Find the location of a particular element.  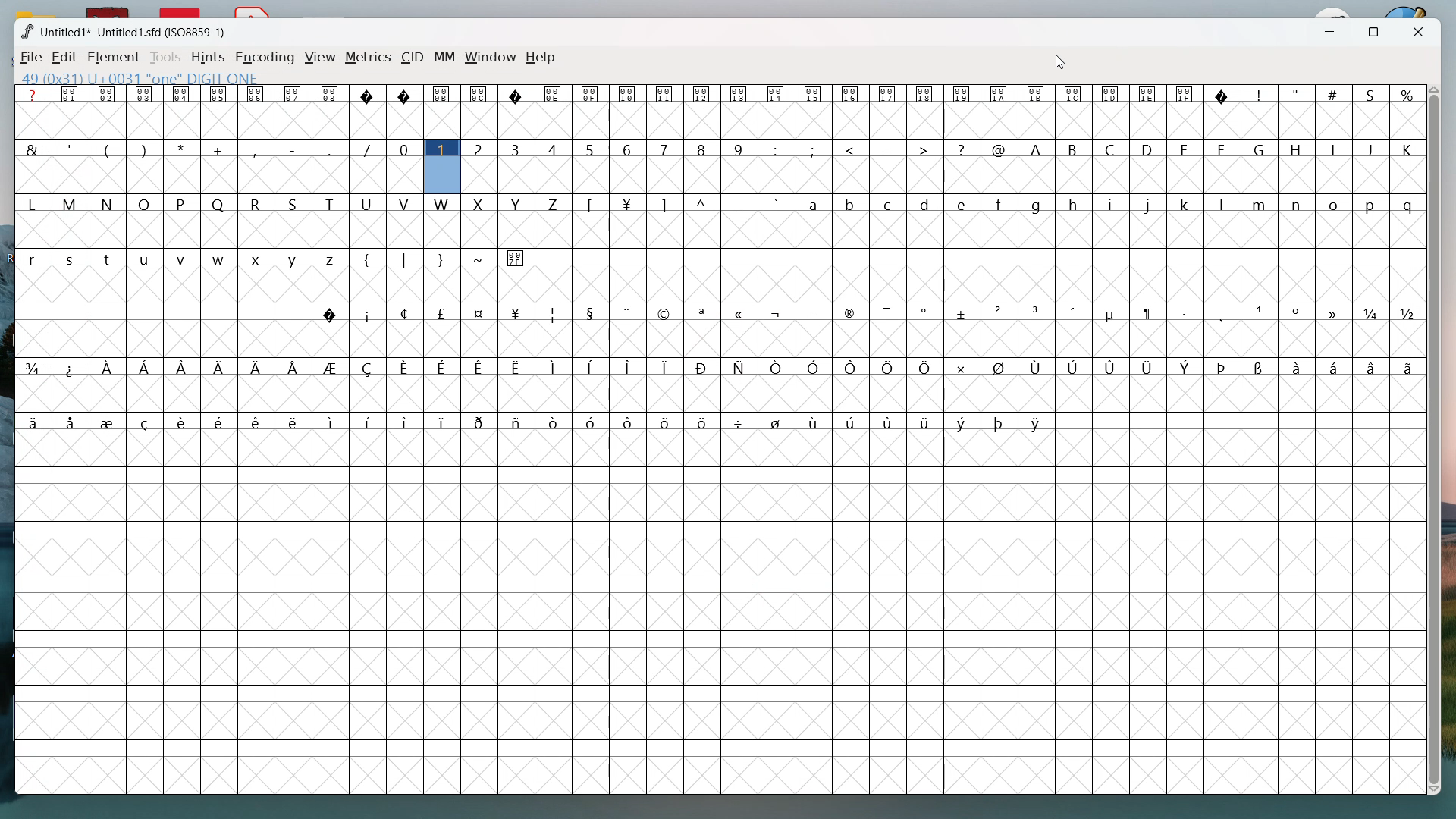

* is located at coordinates (184, 148).